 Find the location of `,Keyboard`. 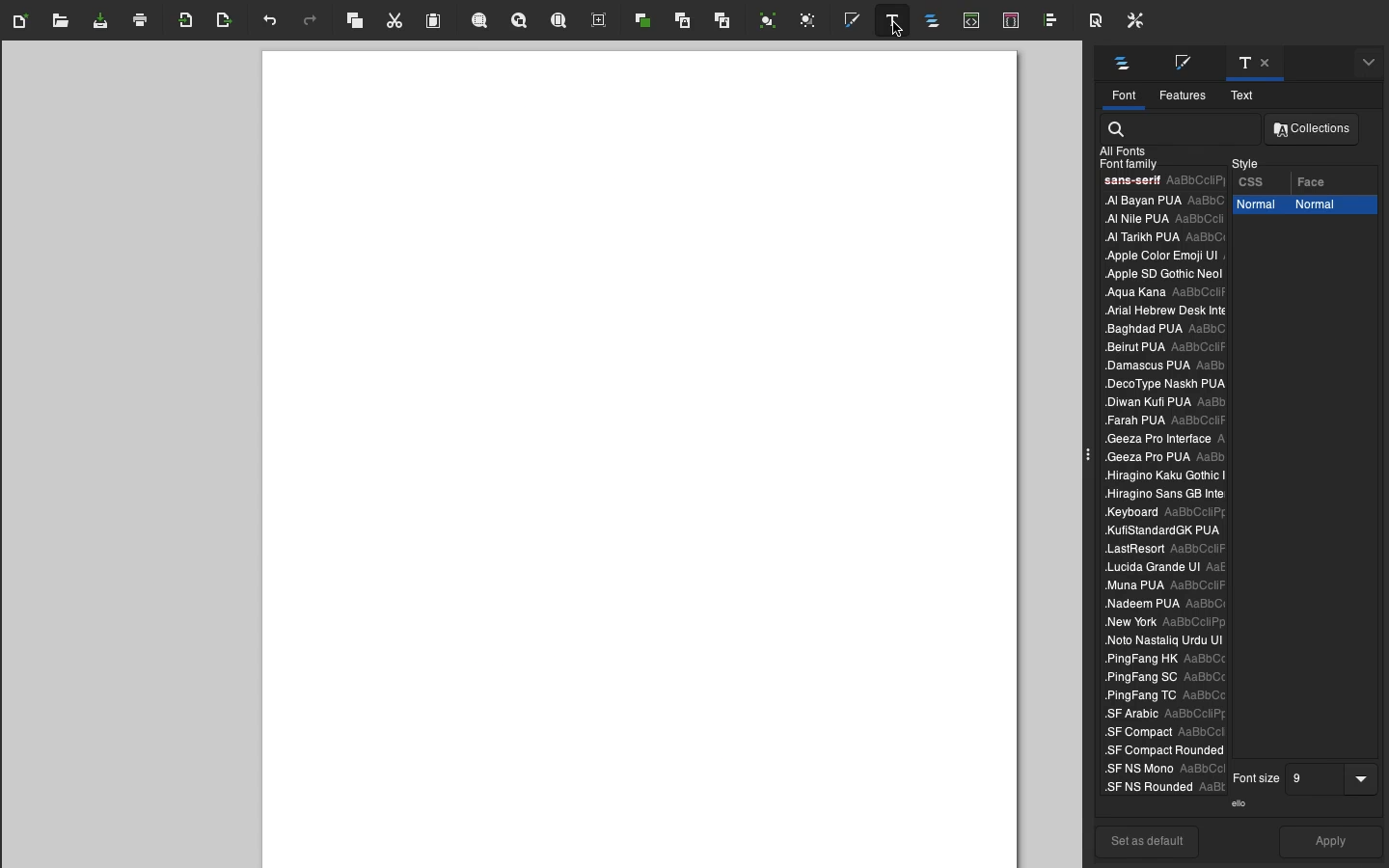

,Keyboard is located at coordinates (1161, 494).